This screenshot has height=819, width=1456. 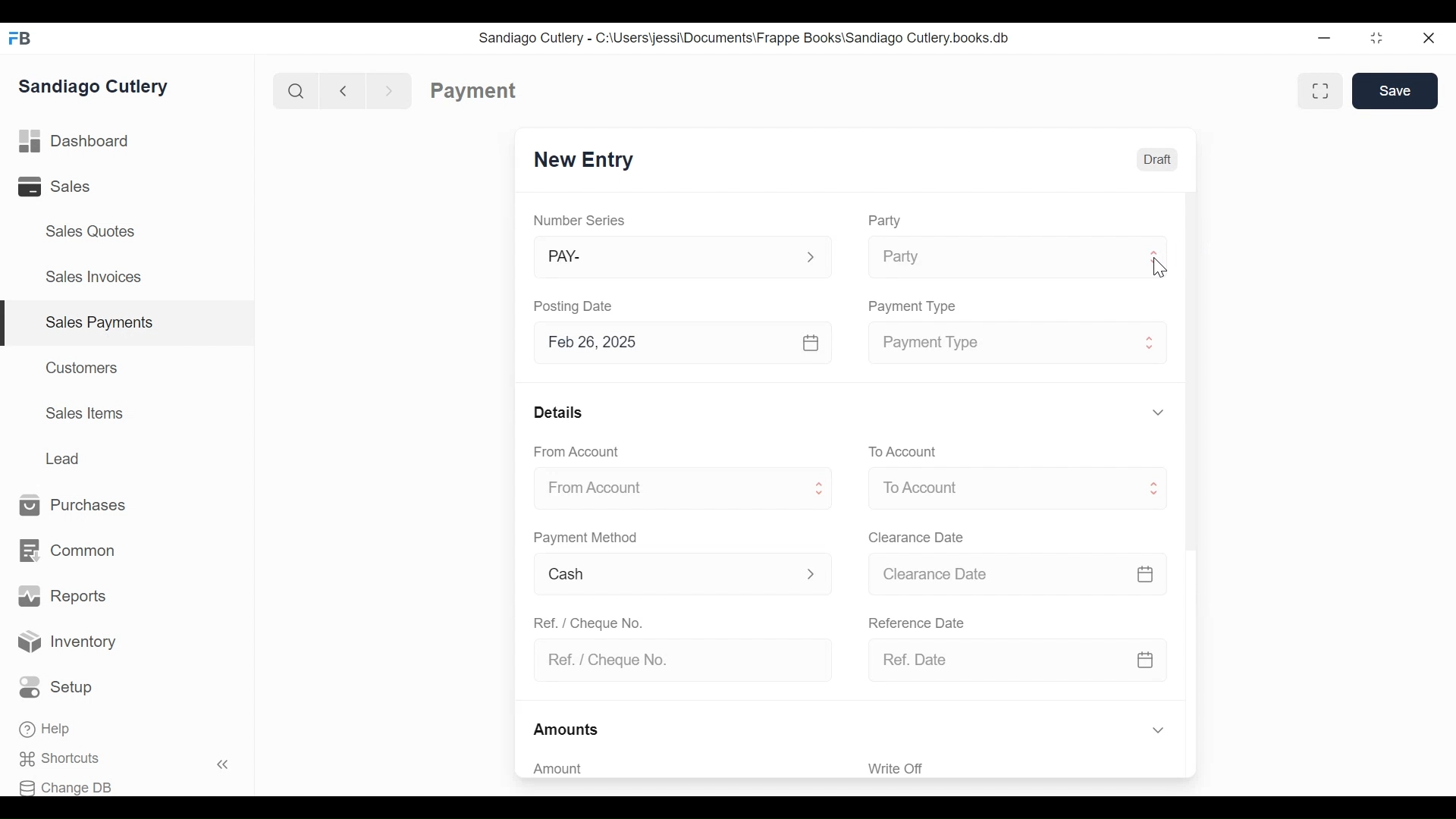 I want to click on Help, so click(x=47, y=730).